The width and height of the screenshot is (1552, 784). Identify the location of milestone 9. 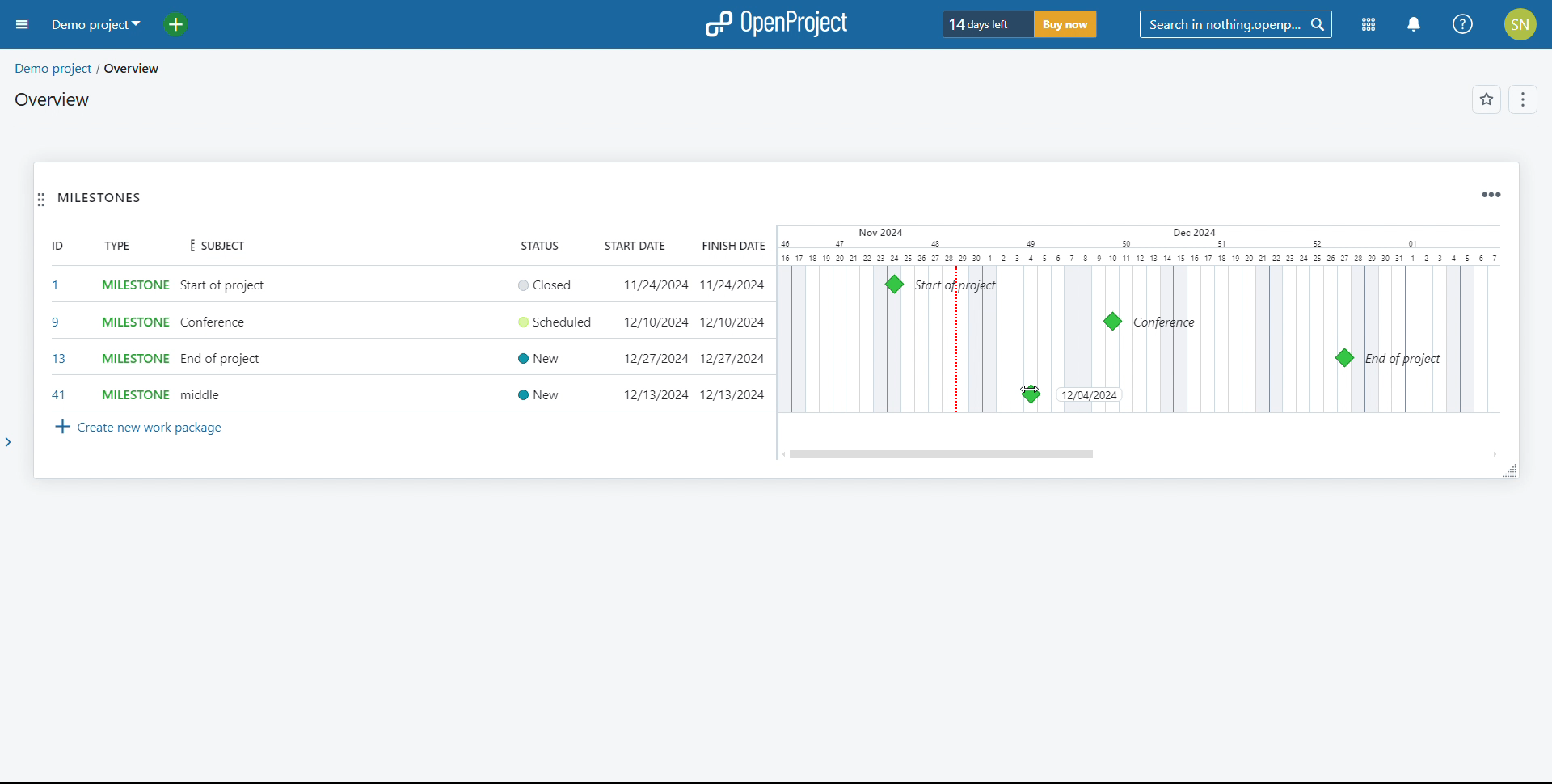
(1112, 322).